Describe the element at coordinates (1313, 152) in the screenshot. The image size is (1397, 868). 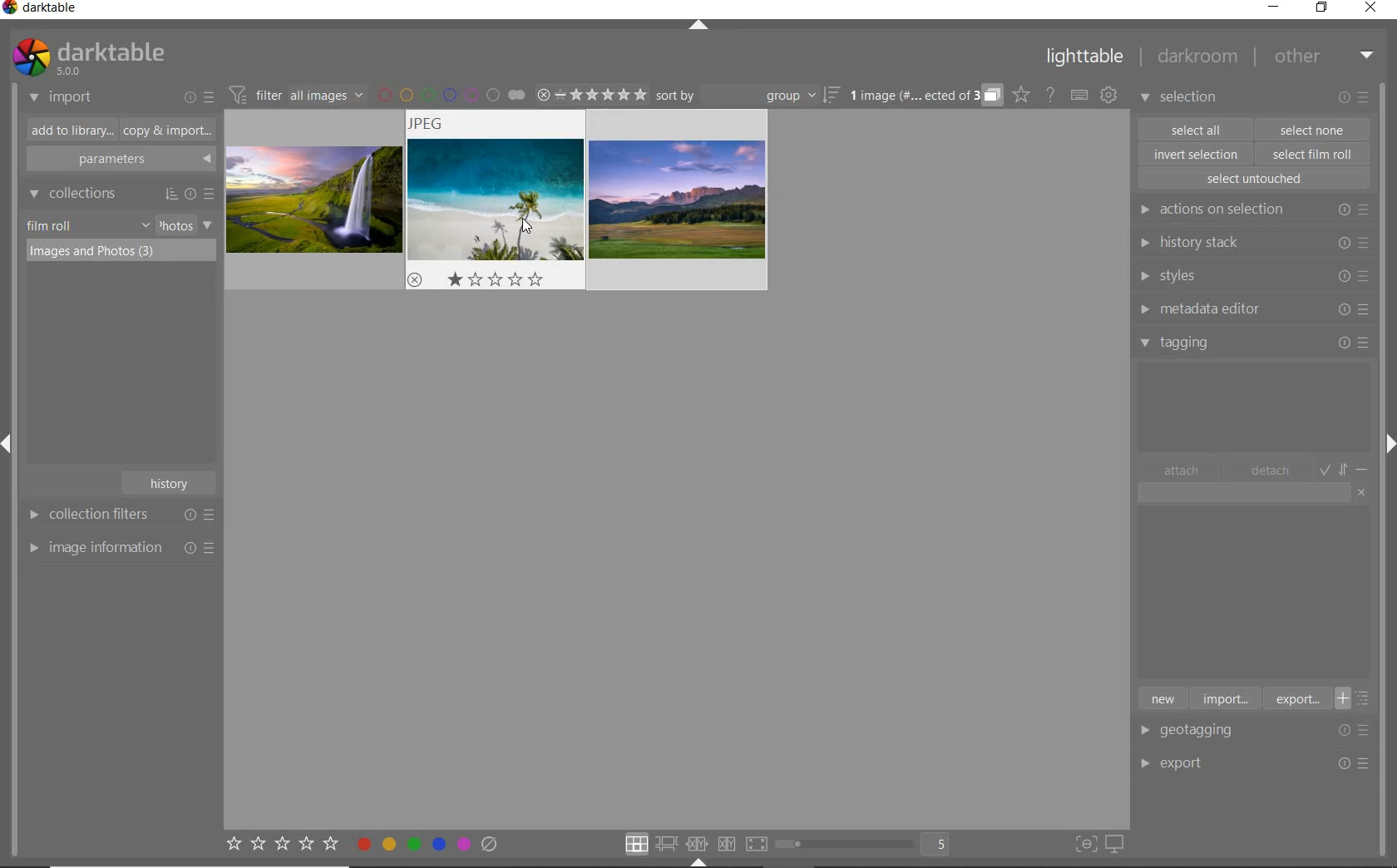
I see `select film roll` at that location.